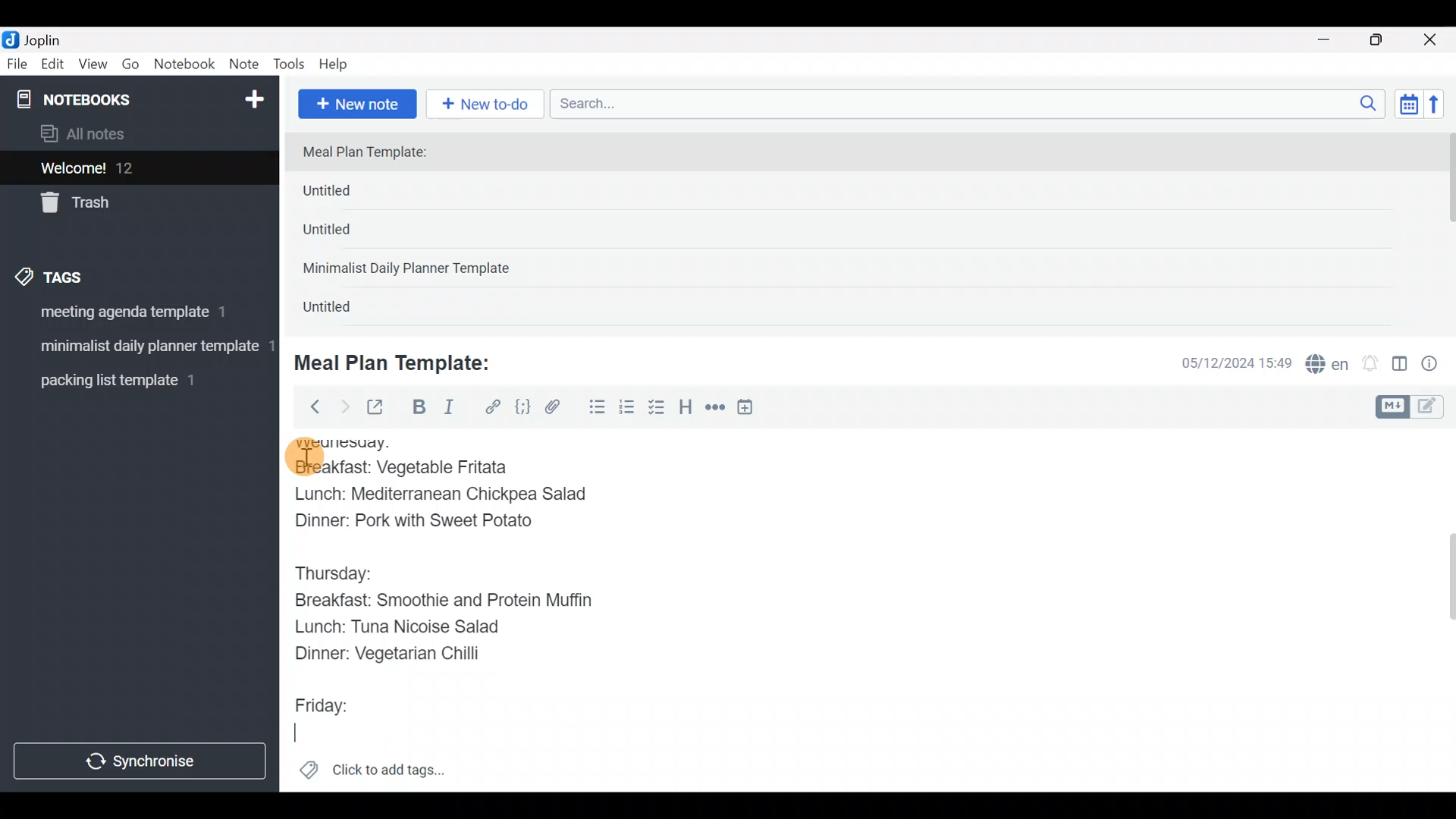 This screenshot has width=1456, height=819. What do you see at coordinates (1408, 105) in the screenshot?
I see `Toggle sort order` at bounding box center [1408, 105].